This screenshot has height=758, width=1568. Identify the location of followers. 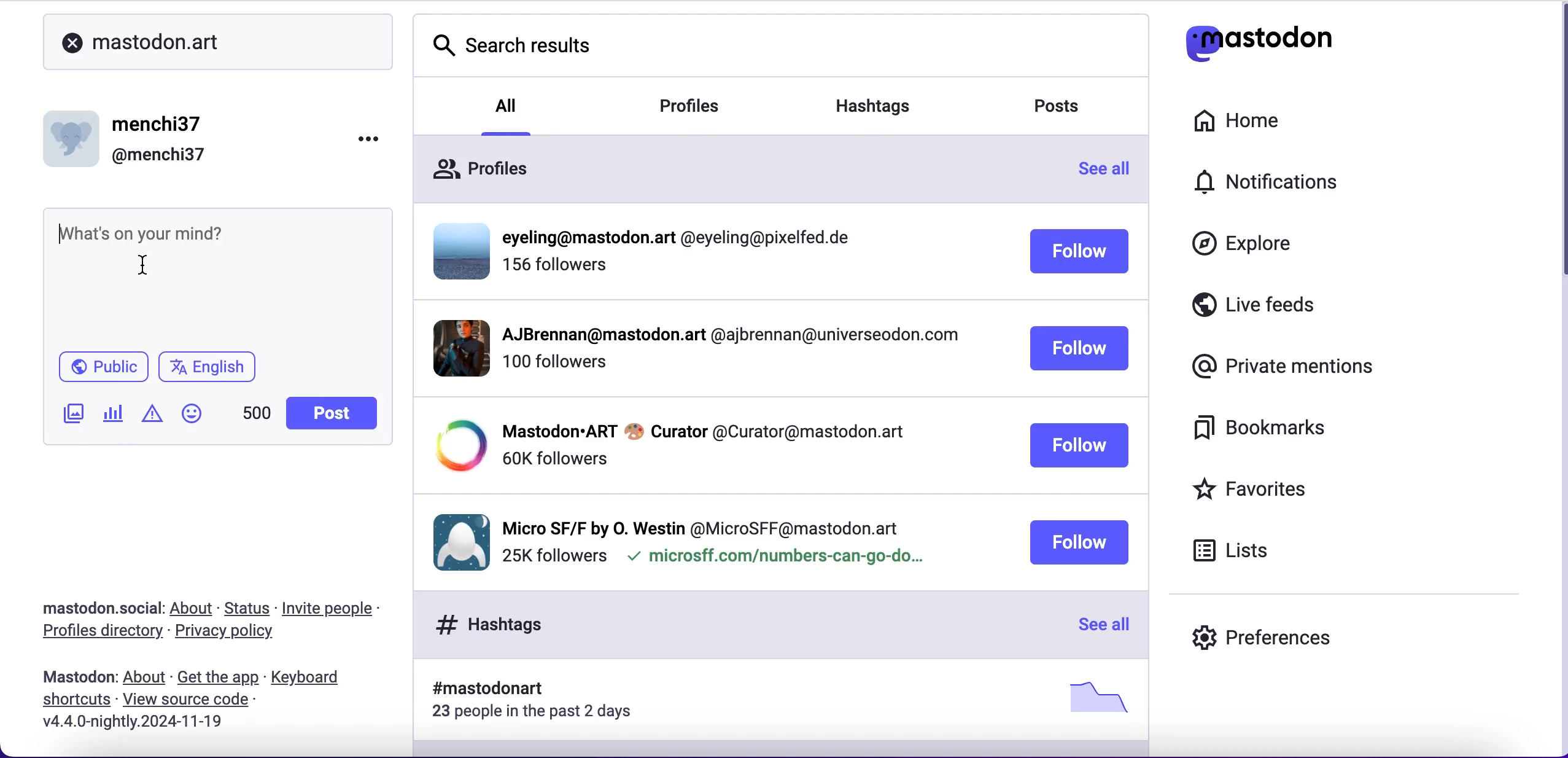
(554, 459).